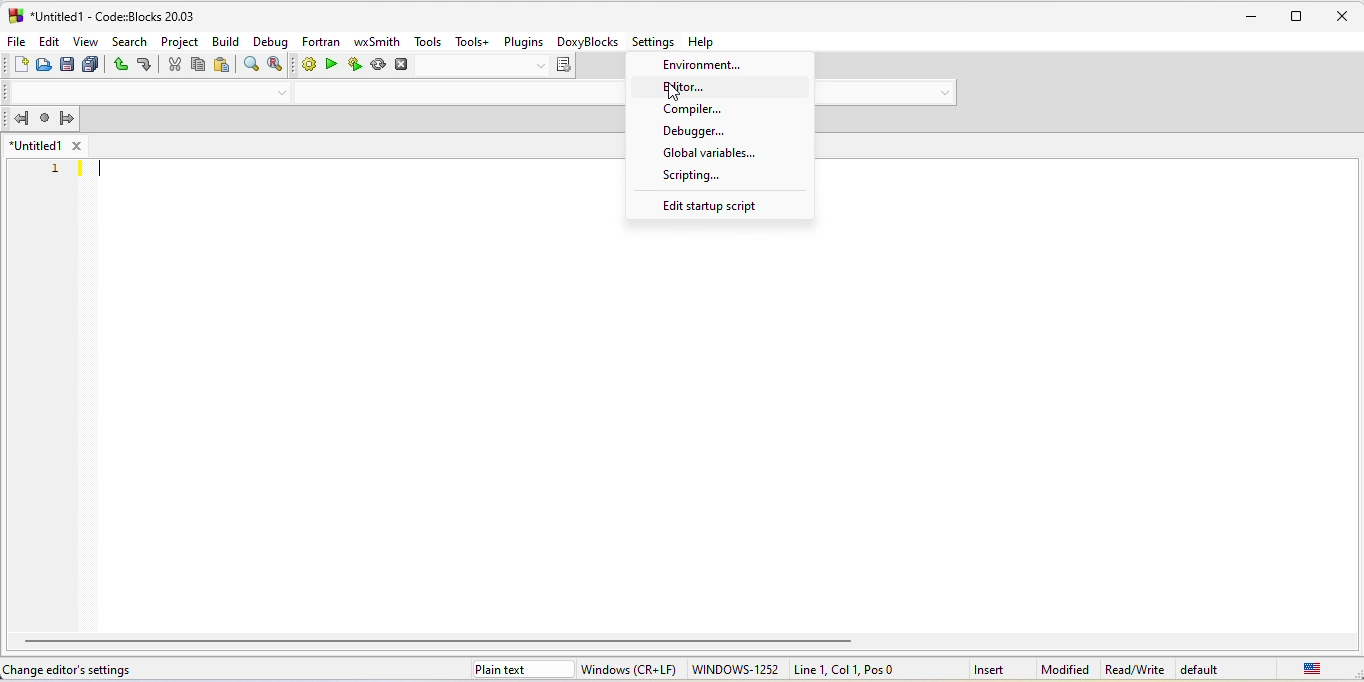  I want to click on scripting, so click(687, 175).